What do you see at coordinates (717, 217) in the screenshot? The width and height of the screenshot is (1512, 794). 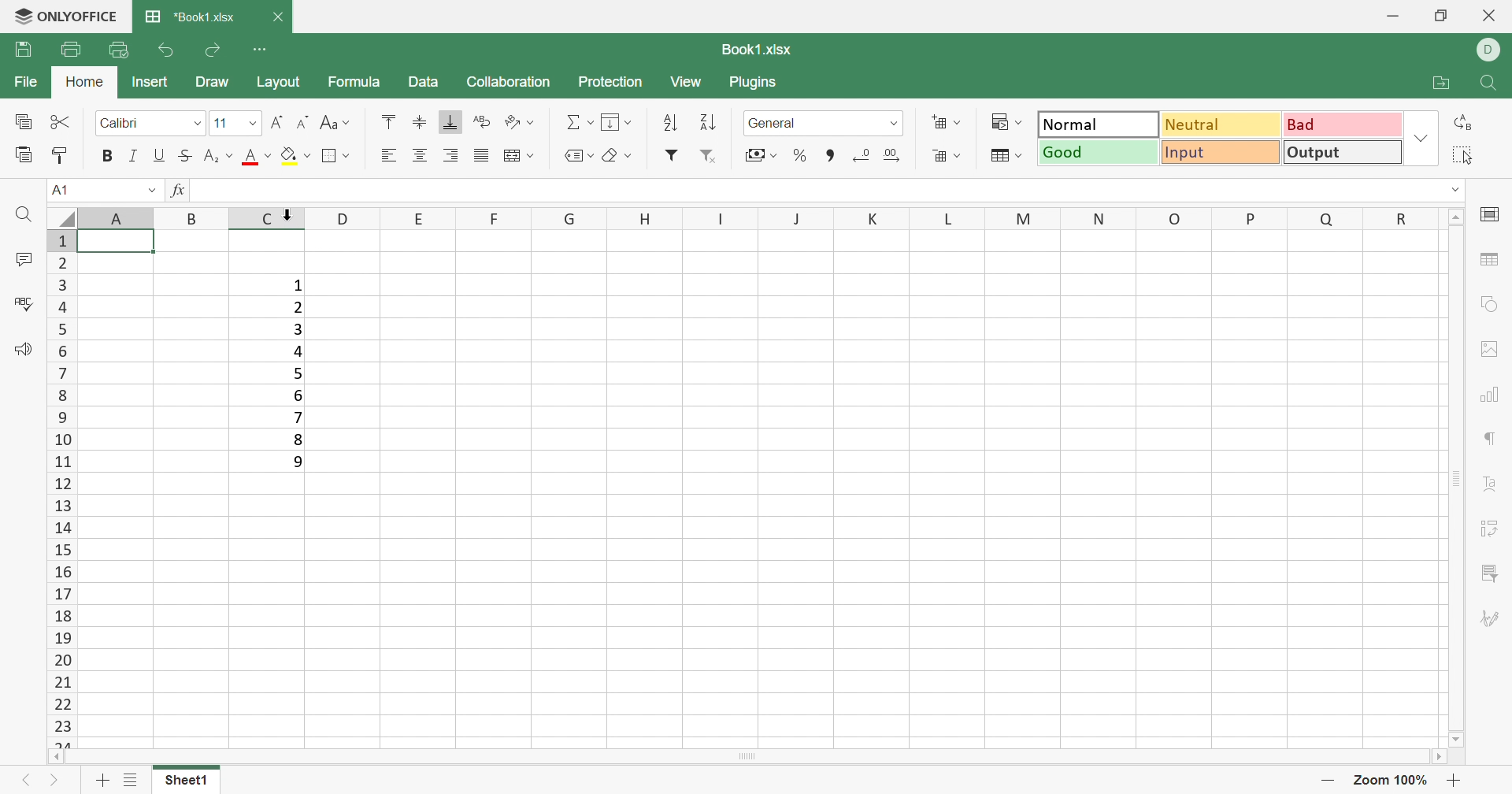 I see `I` at bounding box center [717, 217].